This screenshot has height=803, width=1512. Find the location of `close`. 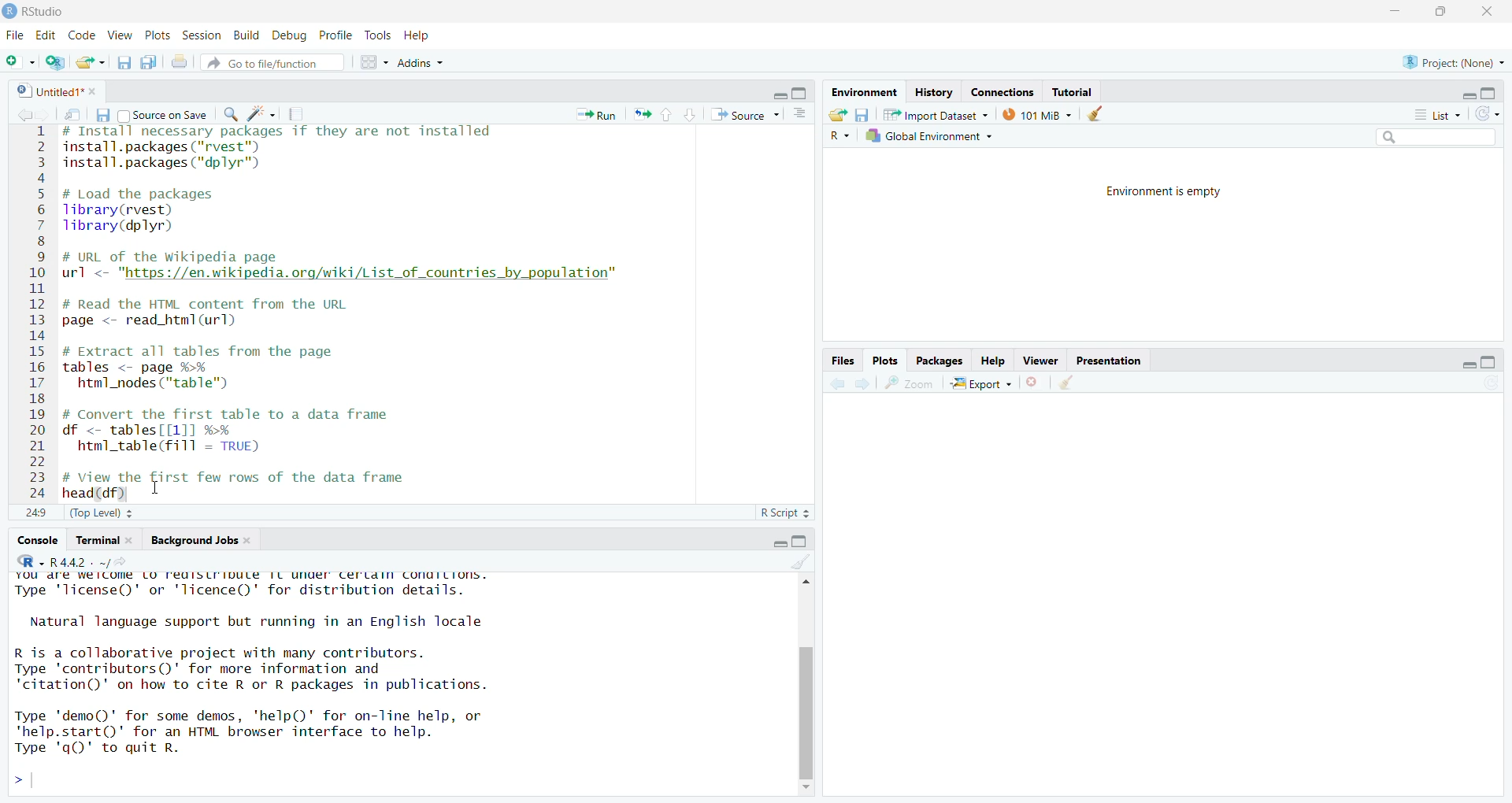

close is located at coordinates (1486, 12).